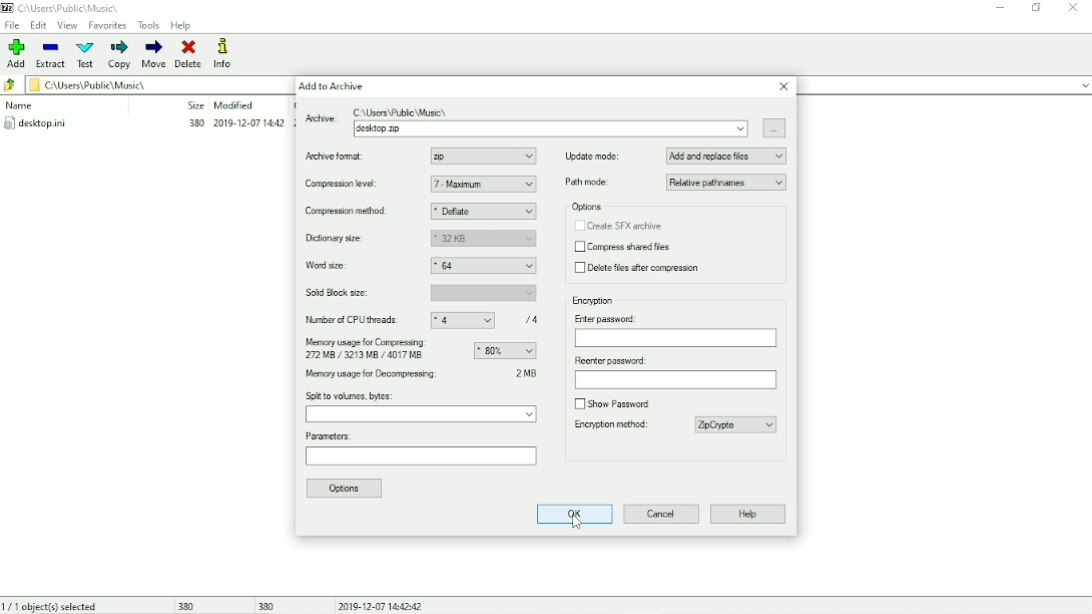 This screenshot has width=1092, height=614. I want to click on Size, so click(192, 105).